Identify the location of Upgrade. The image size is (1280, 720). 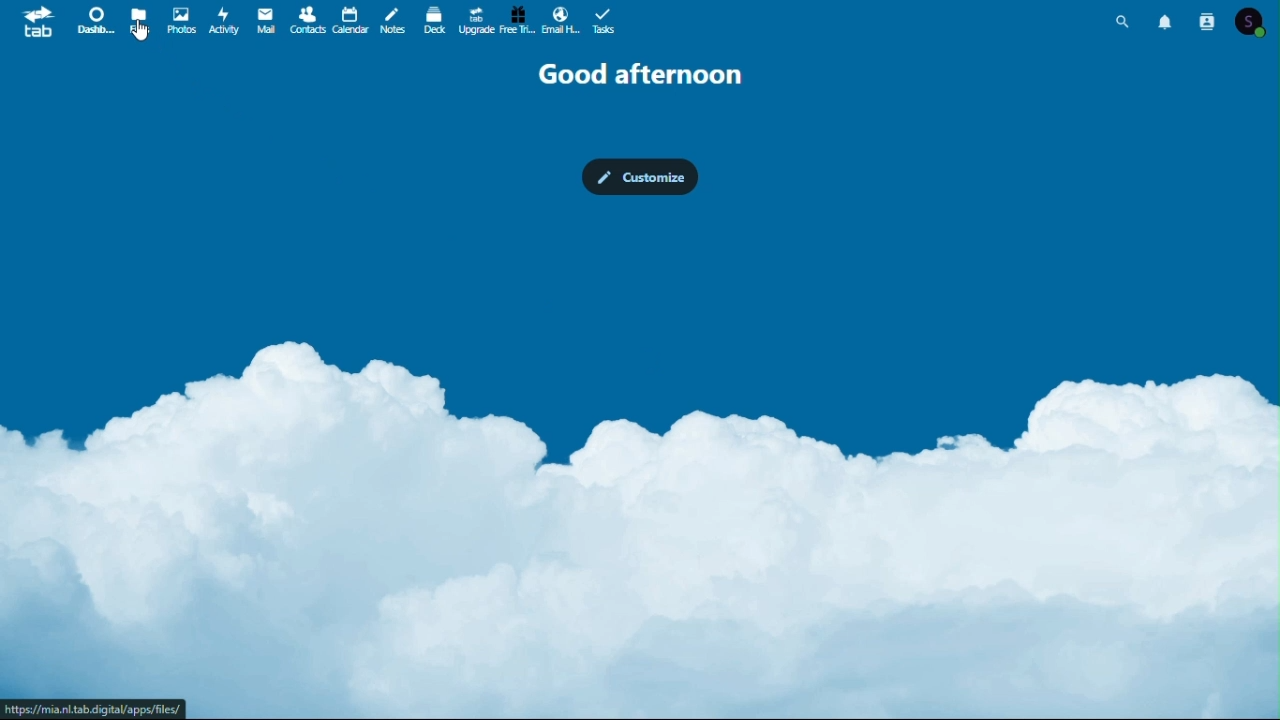
(476, 20).